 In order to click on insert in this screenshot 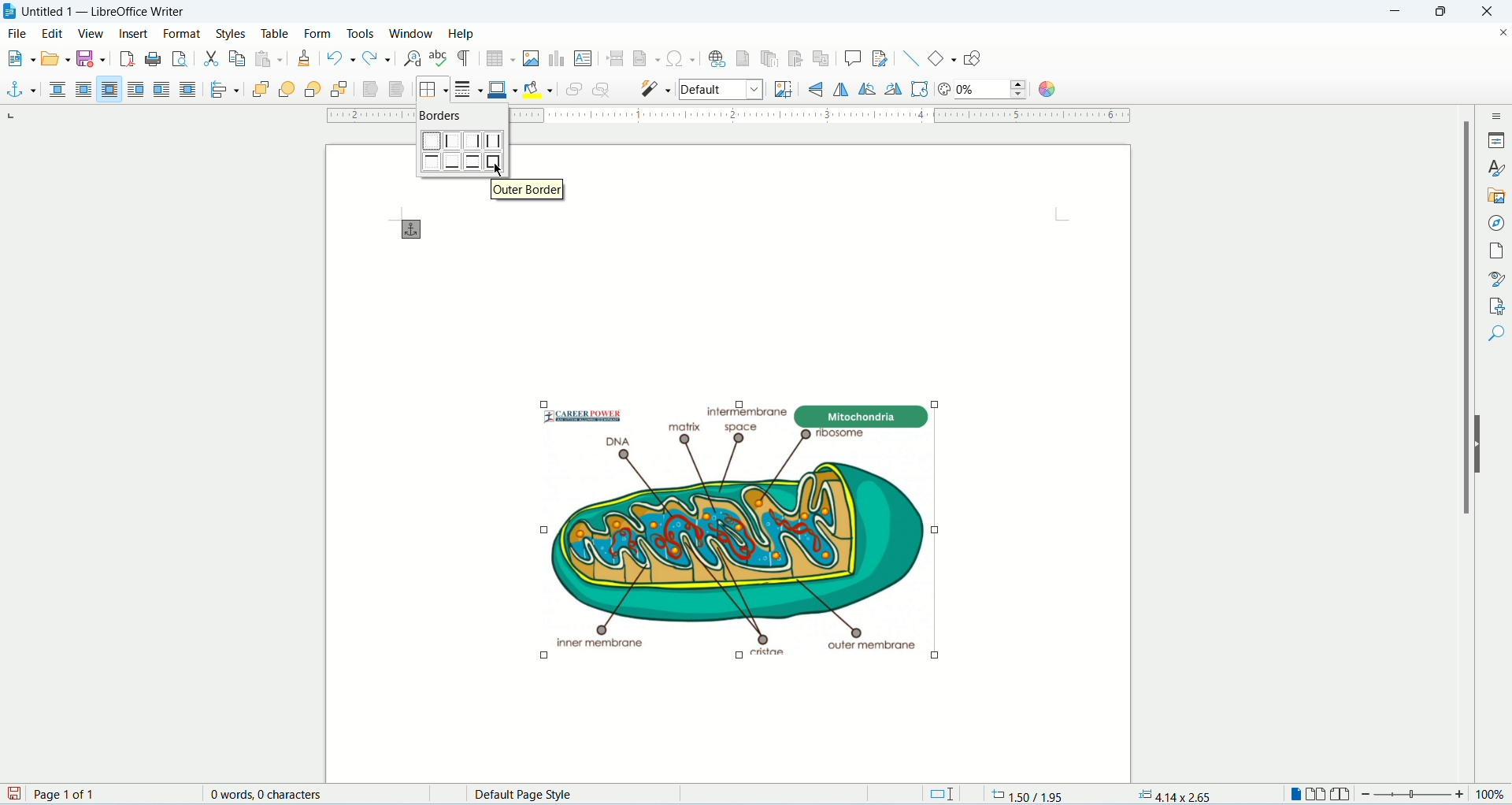, I will do `click(136, 32)`.